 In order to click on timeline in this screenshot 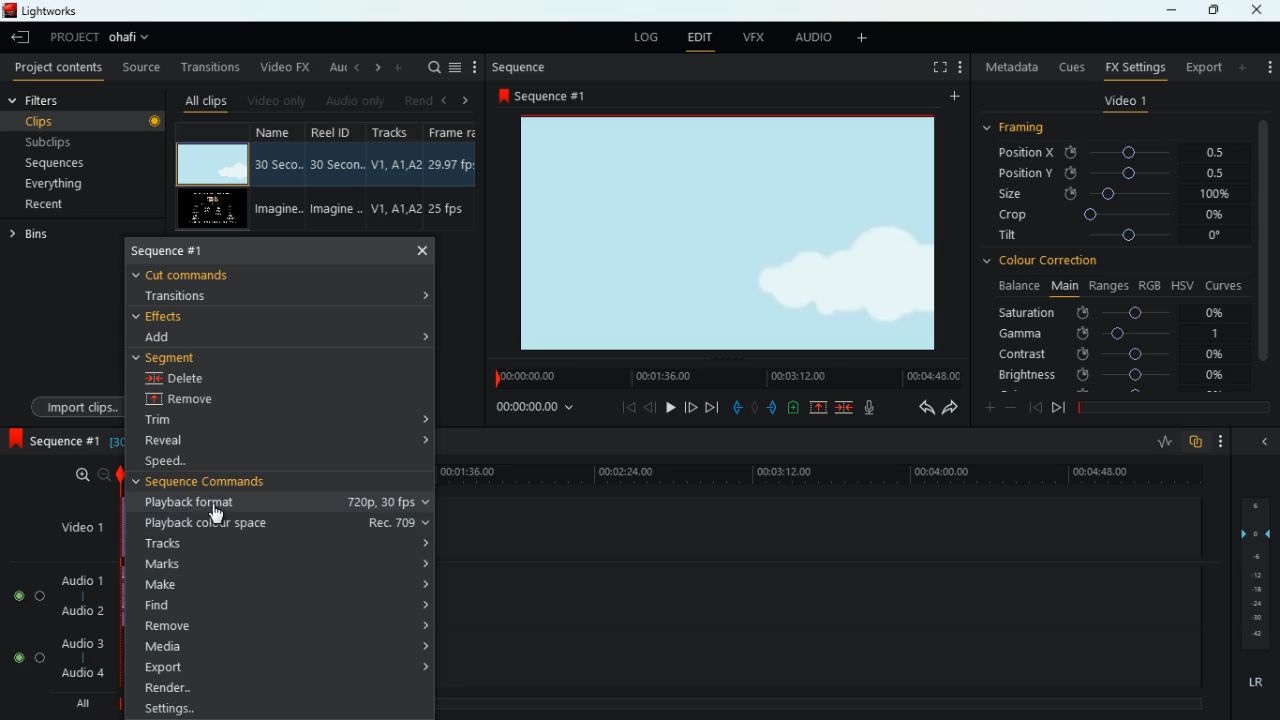, I will do `click(1171, 407)`.